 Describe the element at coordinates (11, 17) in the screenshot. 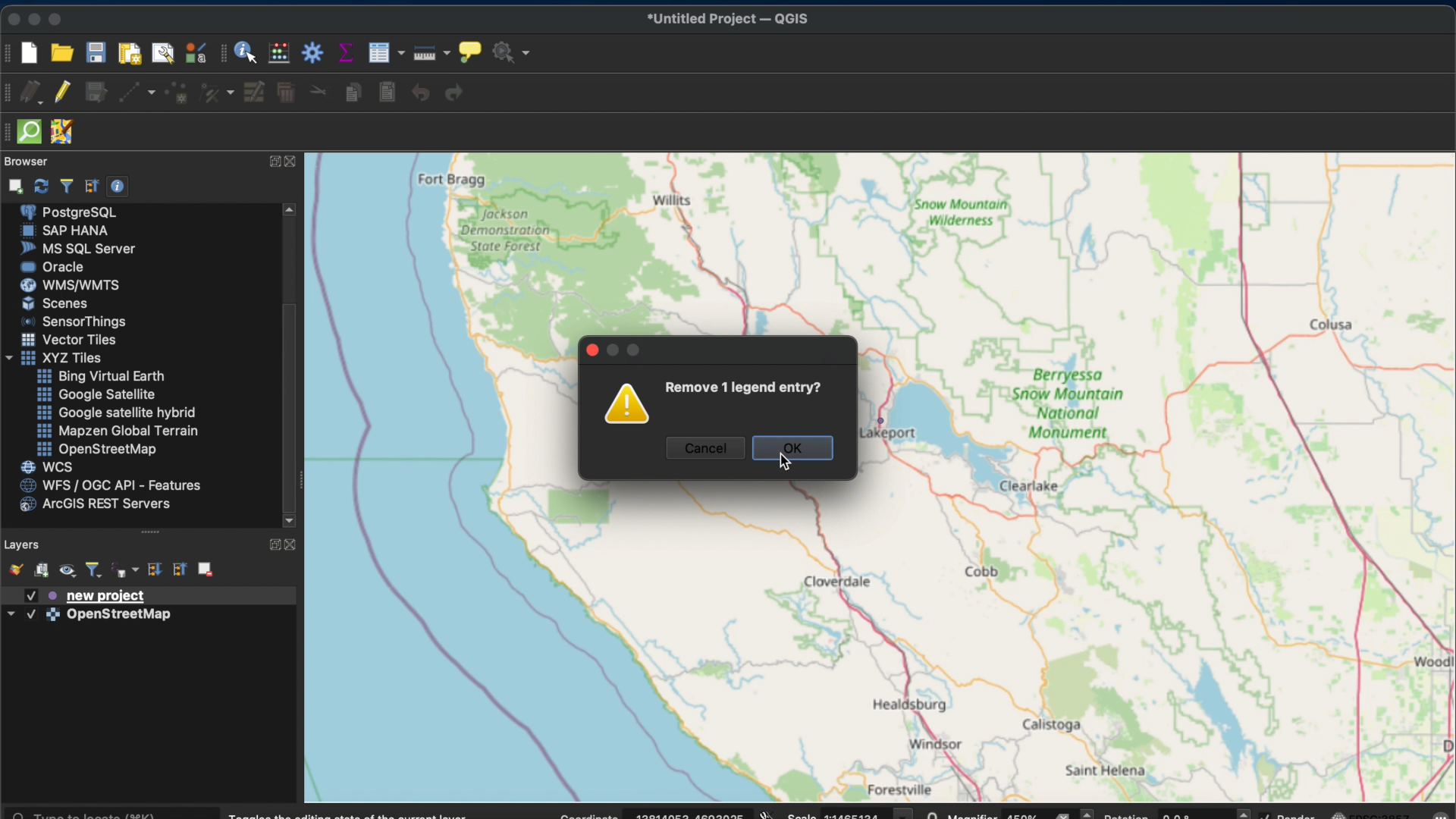

I see `close` at that location.